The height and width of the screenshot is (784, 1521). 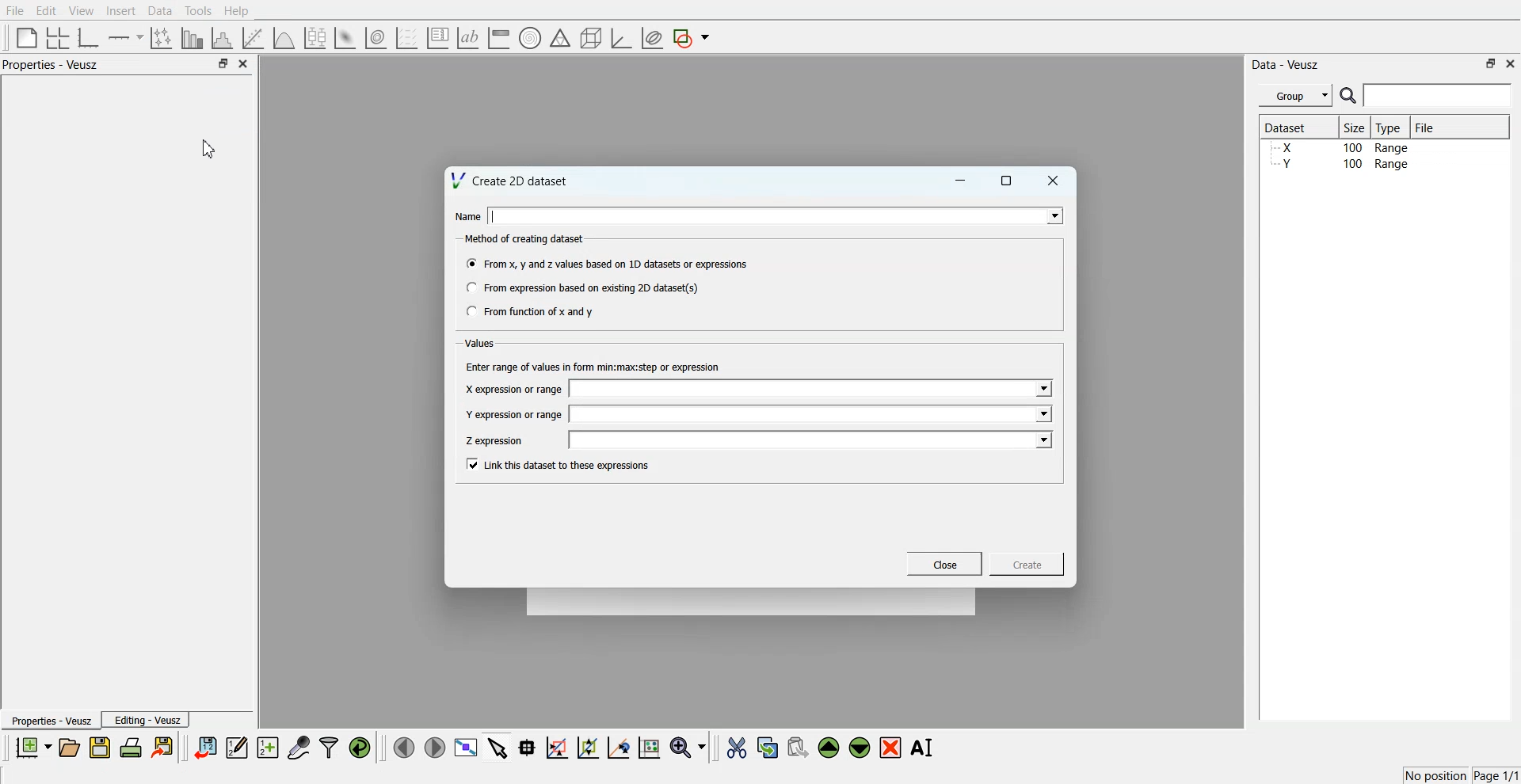 What do you see at coordinates (593, 366) in the screenshot?
I see `~~ Enter range of values in form min:max:step or expression` at bounding box center [593, 366].